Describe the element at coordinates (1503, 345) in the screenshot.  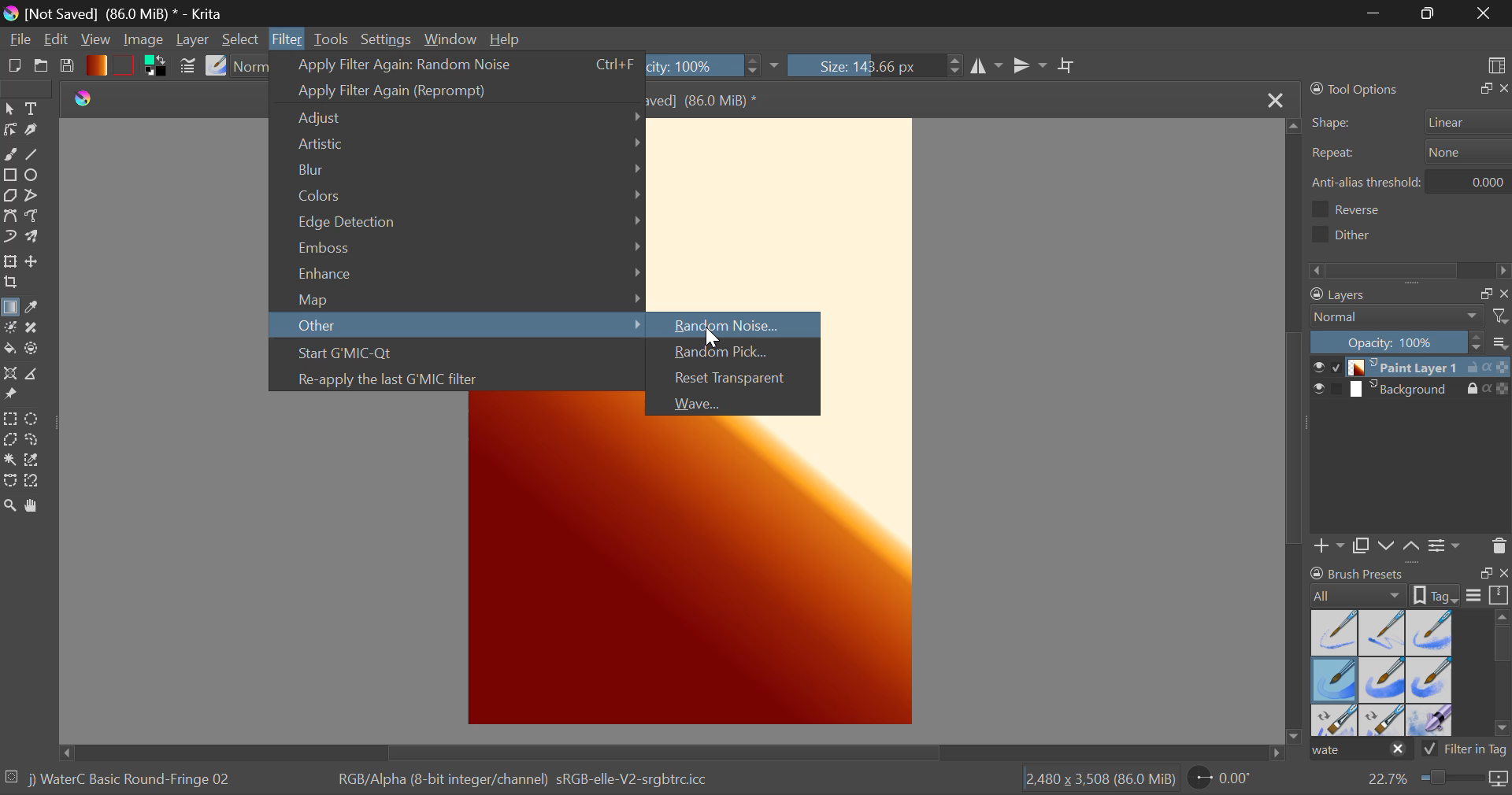
I see `menu` at that location.